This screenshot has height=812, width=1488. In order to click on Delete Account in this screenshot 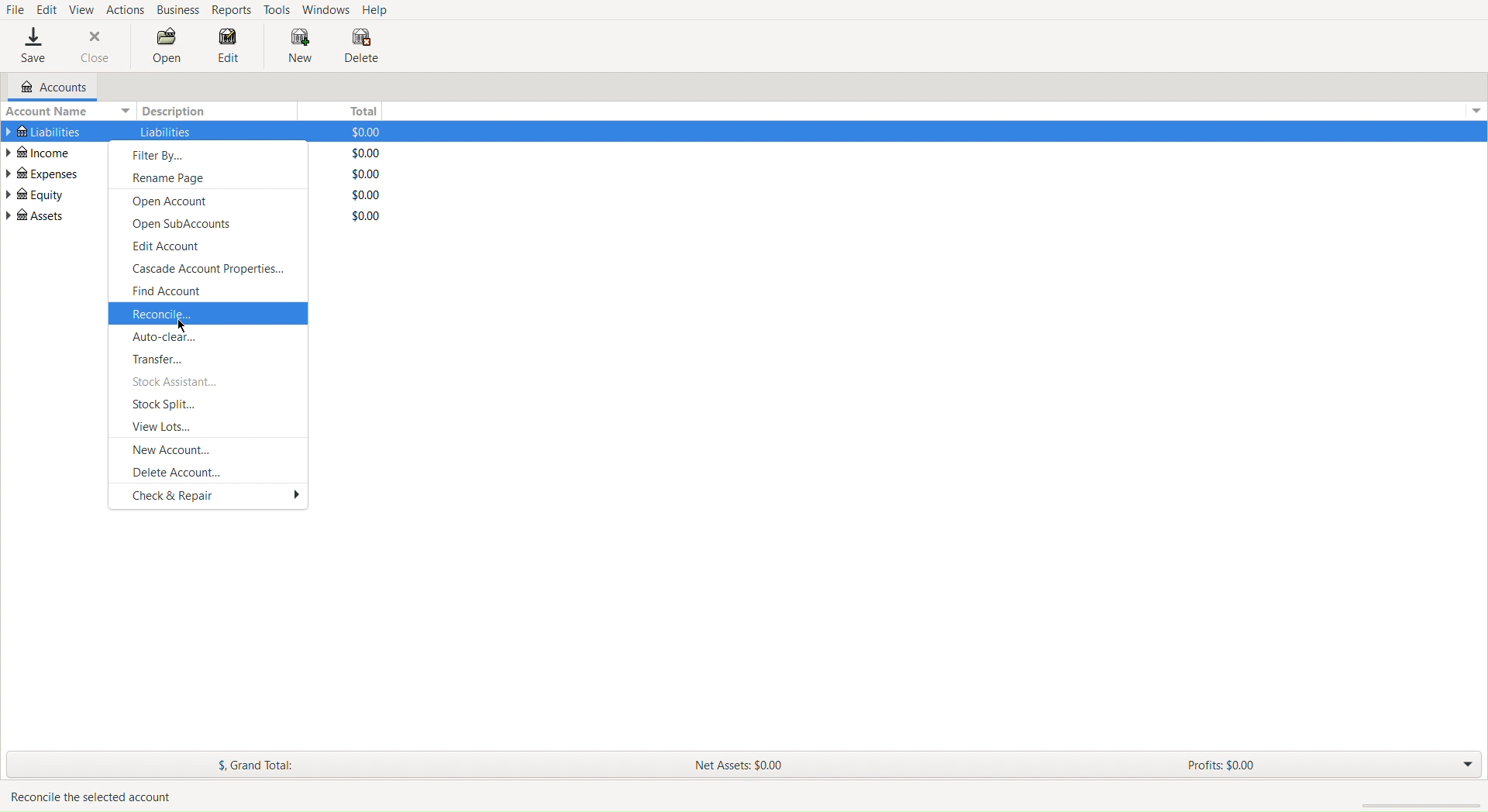, I will do `click(208, 474)`.